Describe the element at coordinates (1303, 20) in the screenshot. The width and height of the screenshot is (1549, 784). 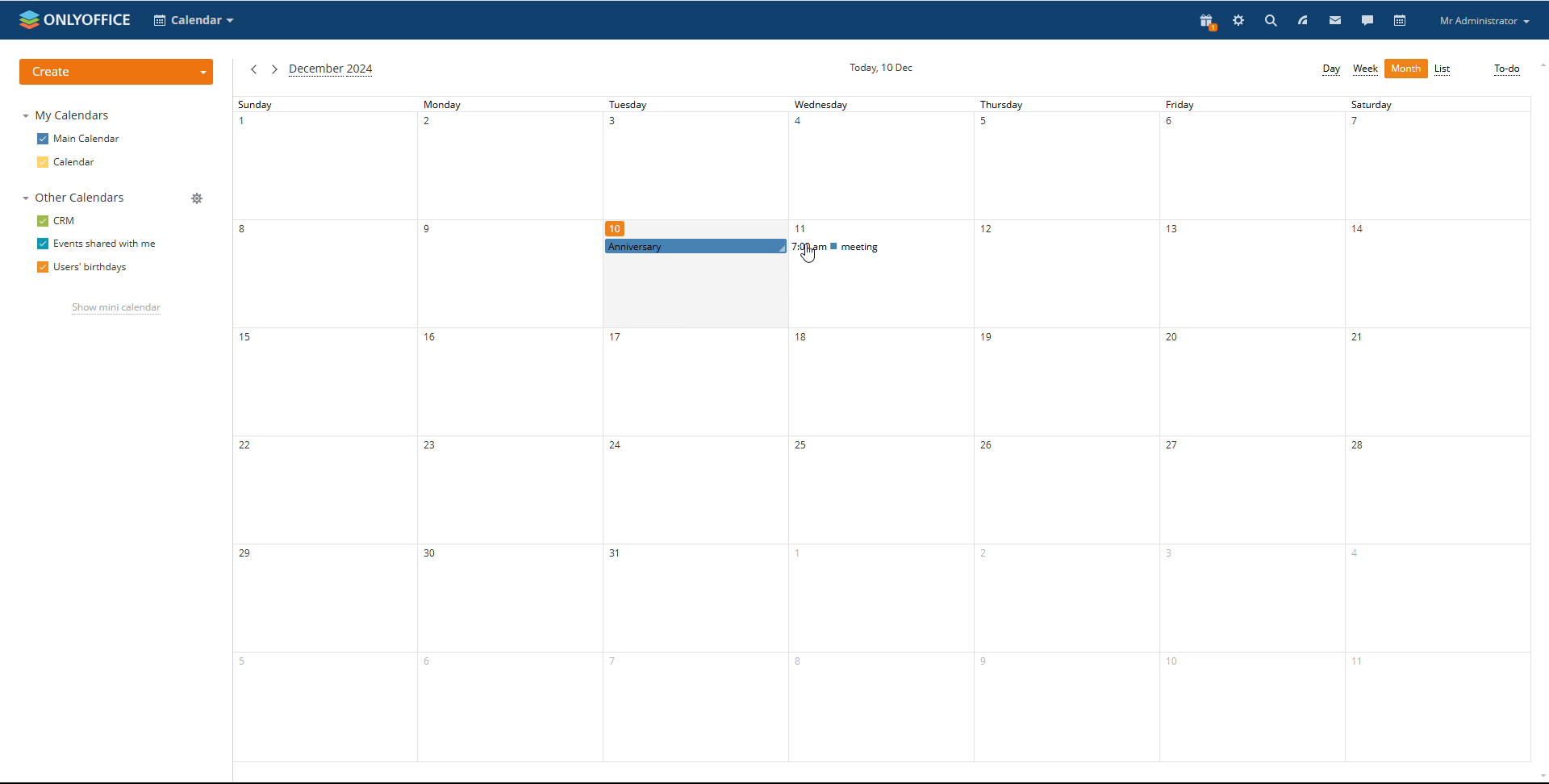
I see `feed` at that location.